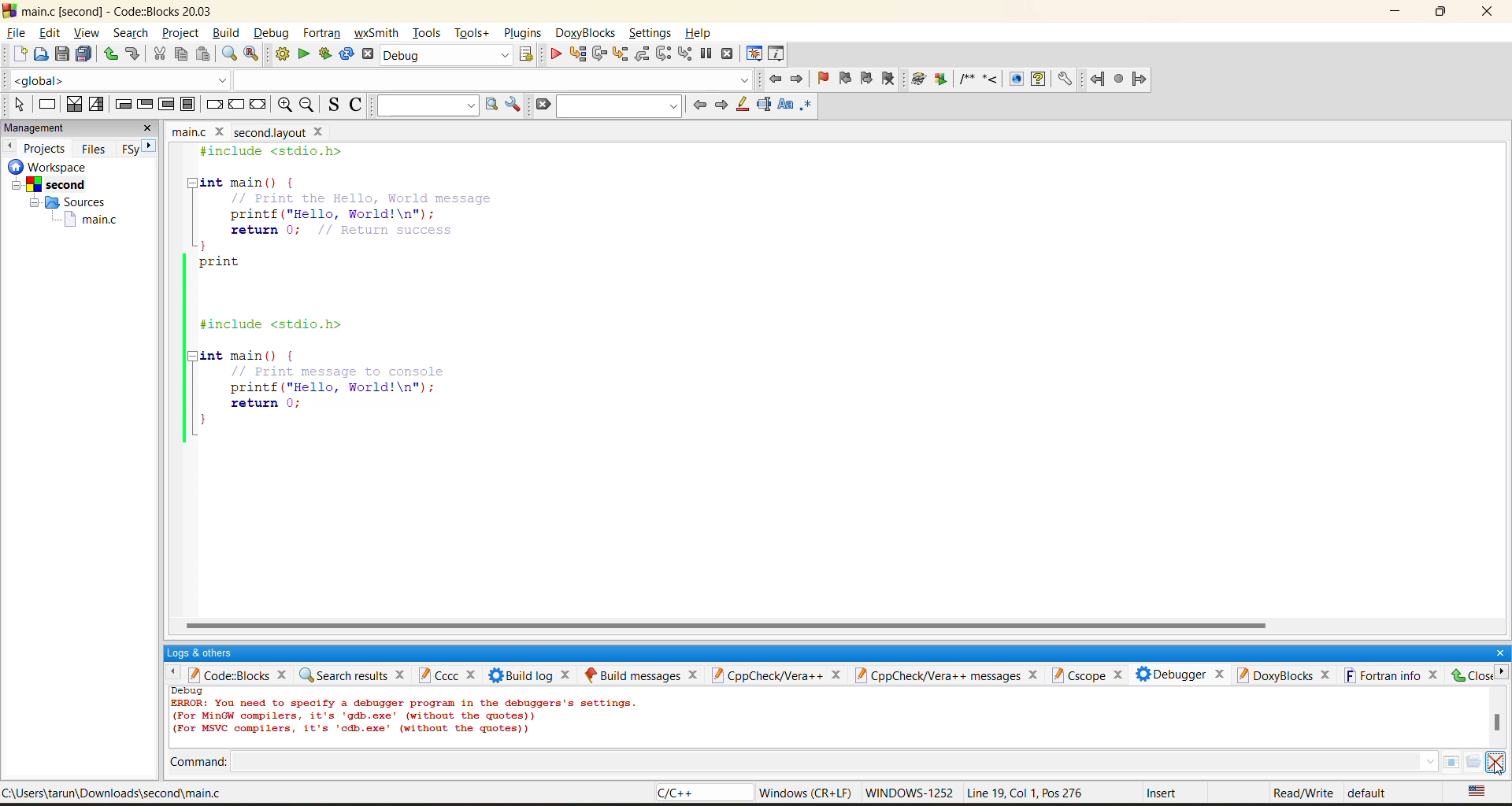 This screenshot has height=806, width=1512. What do you see at coordinates (697, 794) in the screenshot?
I see `language` at bounding box center [697, 794].